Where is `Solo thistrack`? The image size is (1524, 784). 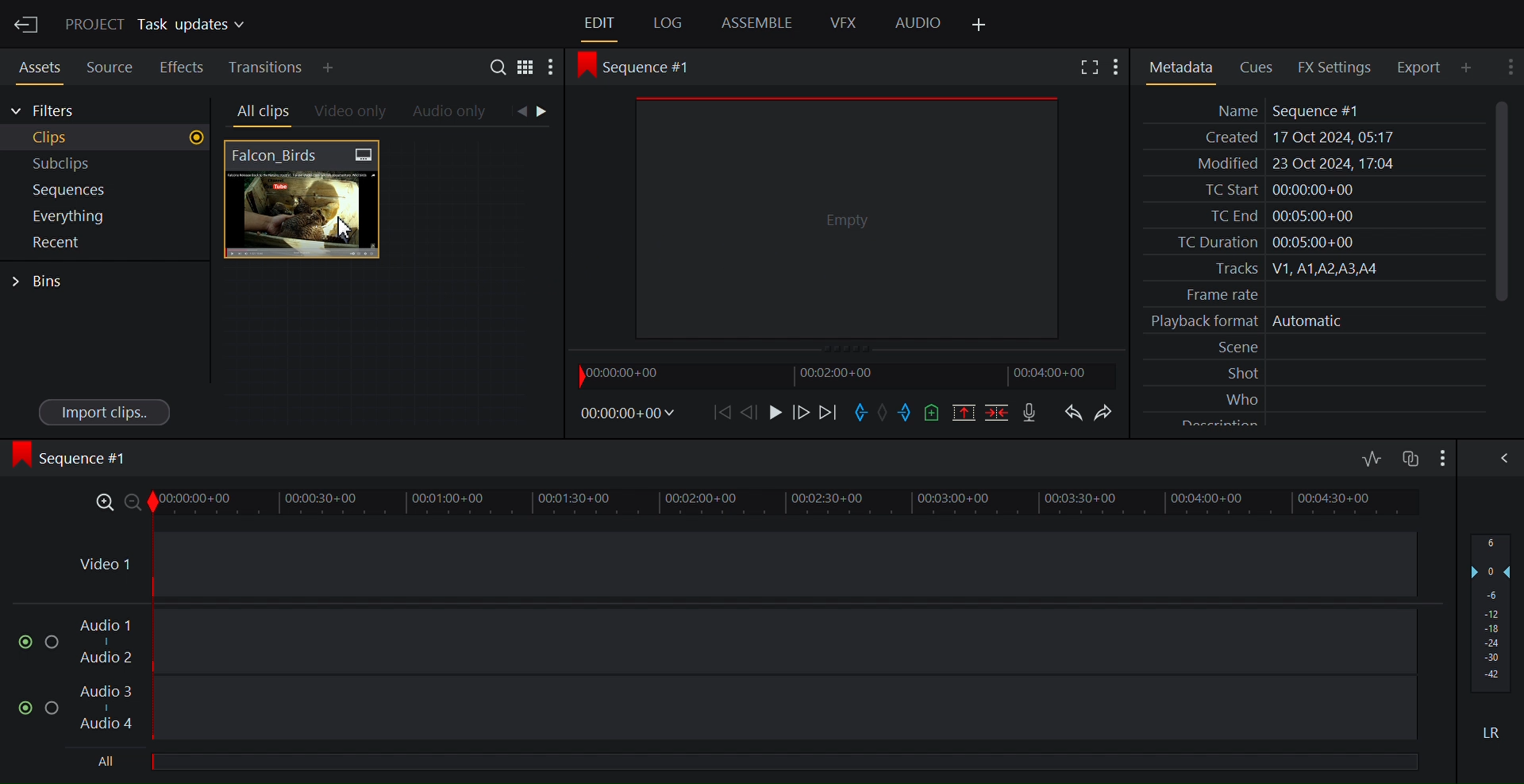
Solo thistrack is located at coordinates (55, 644).